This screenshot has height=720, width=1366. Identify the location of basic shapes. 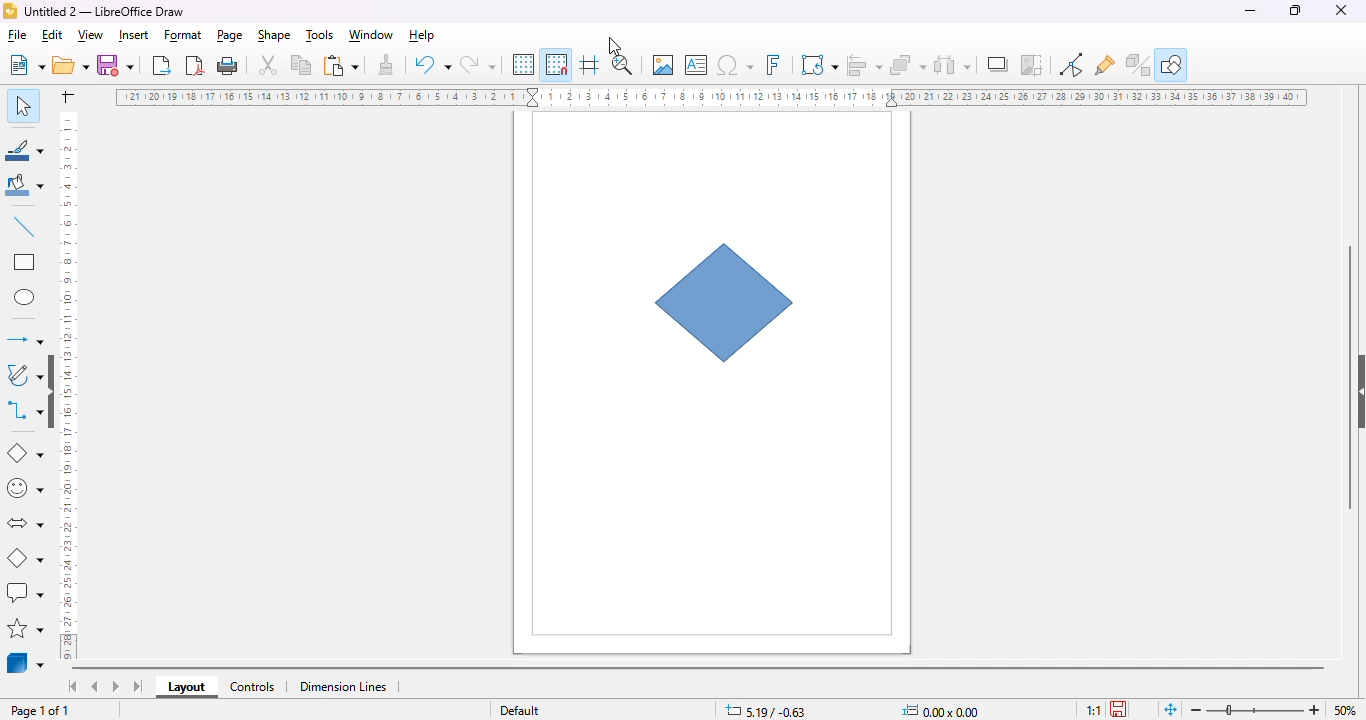
(26, 453).